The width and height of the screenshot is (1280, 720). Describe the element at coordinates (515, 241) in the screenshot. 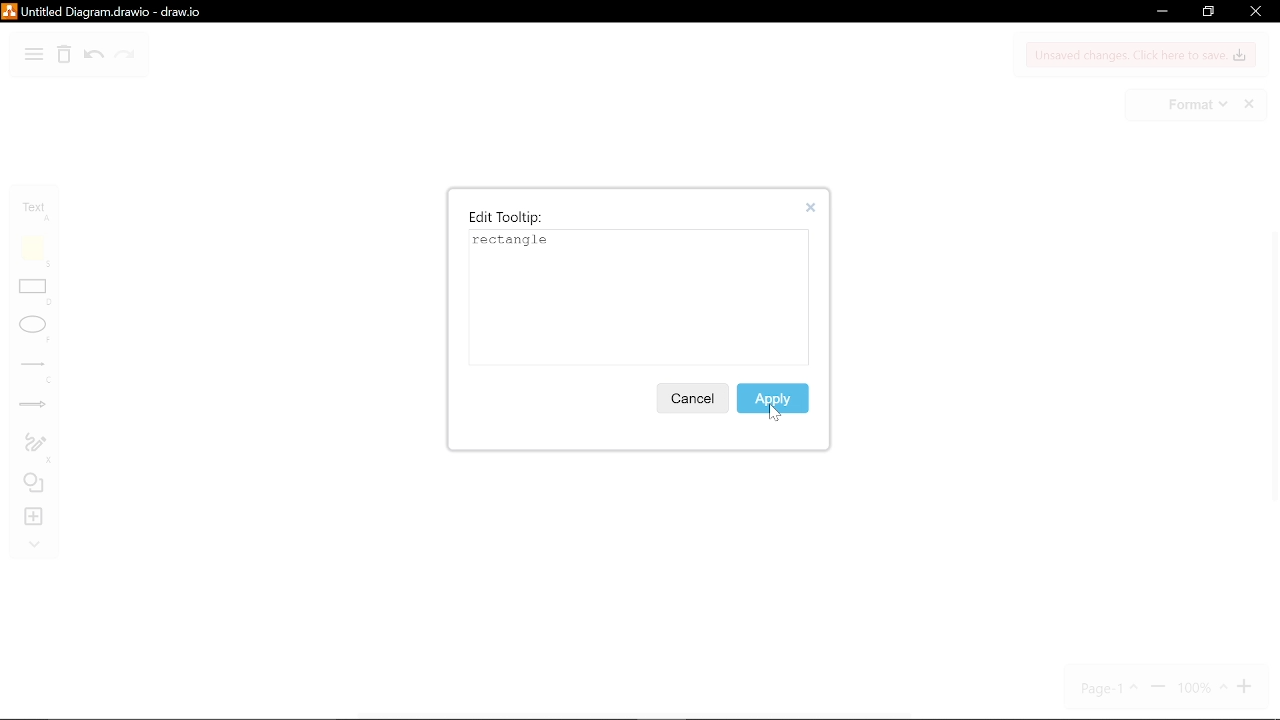

I see `"rectangle" text added` at that location.